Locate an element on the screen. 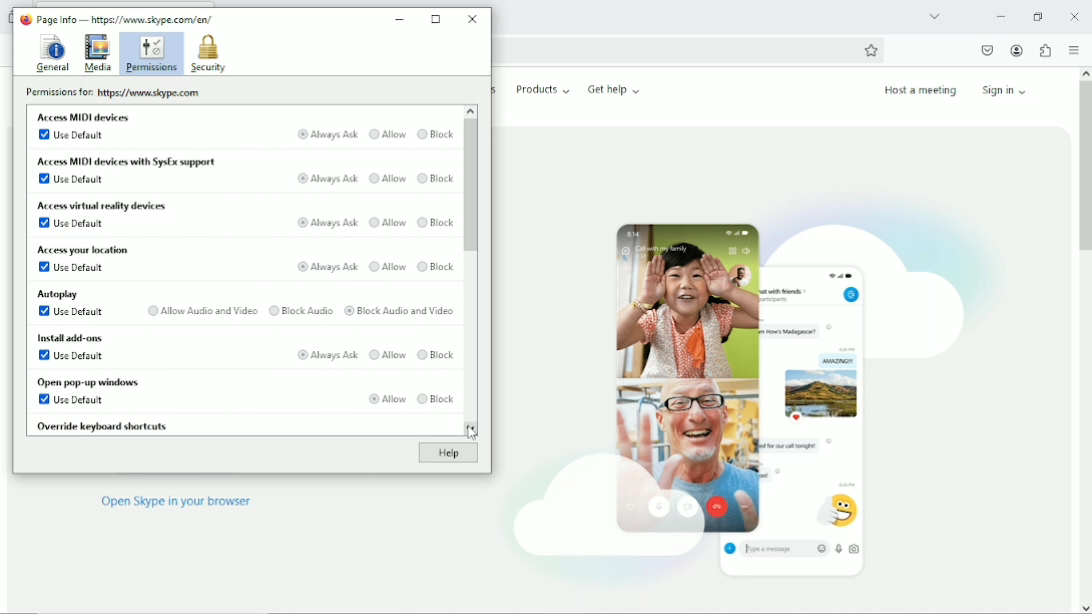  open application menu is located at coordinates (1073, 51).